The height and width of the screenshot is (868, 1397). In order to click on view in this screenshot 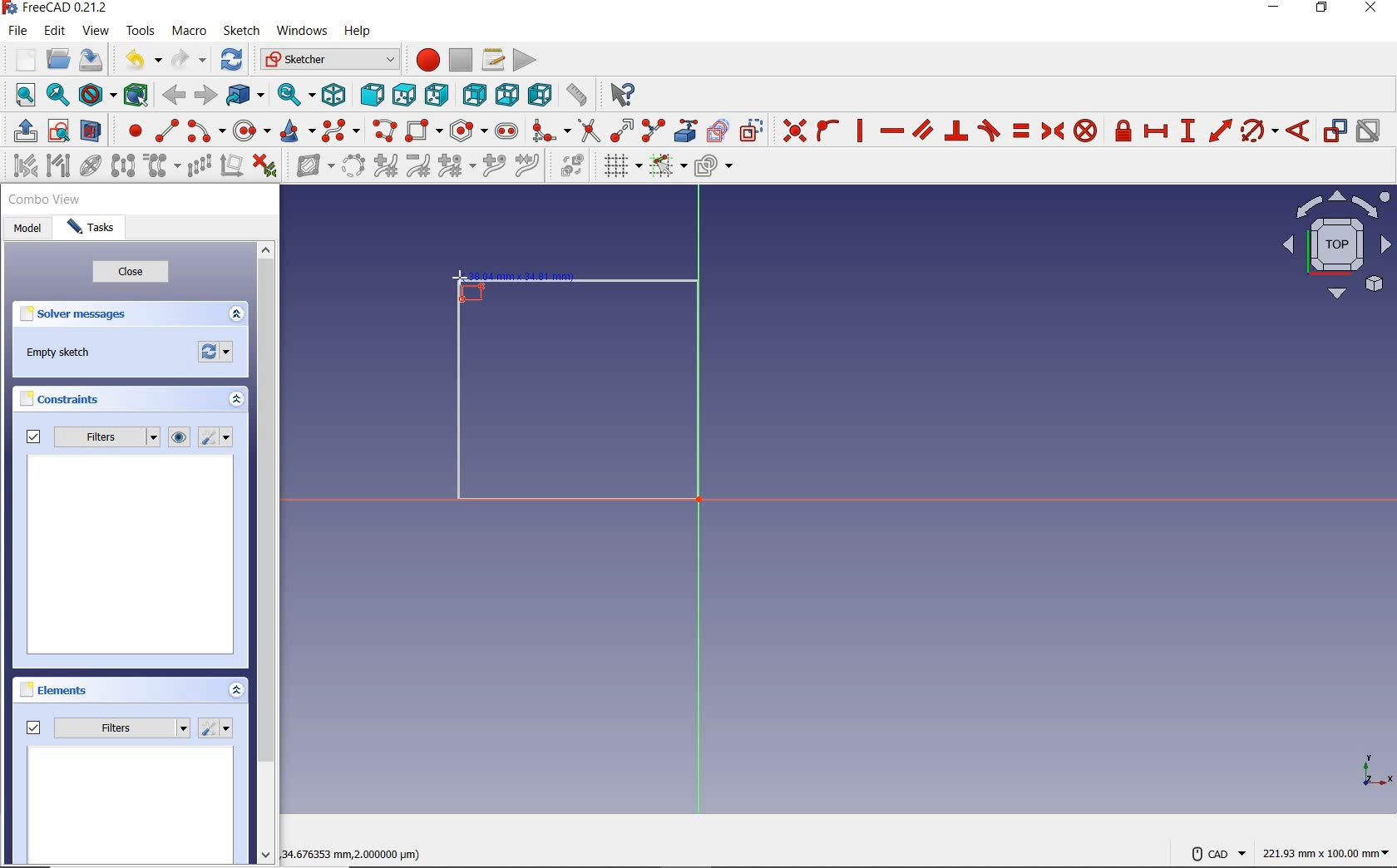, I will do `click(96, 32)`.